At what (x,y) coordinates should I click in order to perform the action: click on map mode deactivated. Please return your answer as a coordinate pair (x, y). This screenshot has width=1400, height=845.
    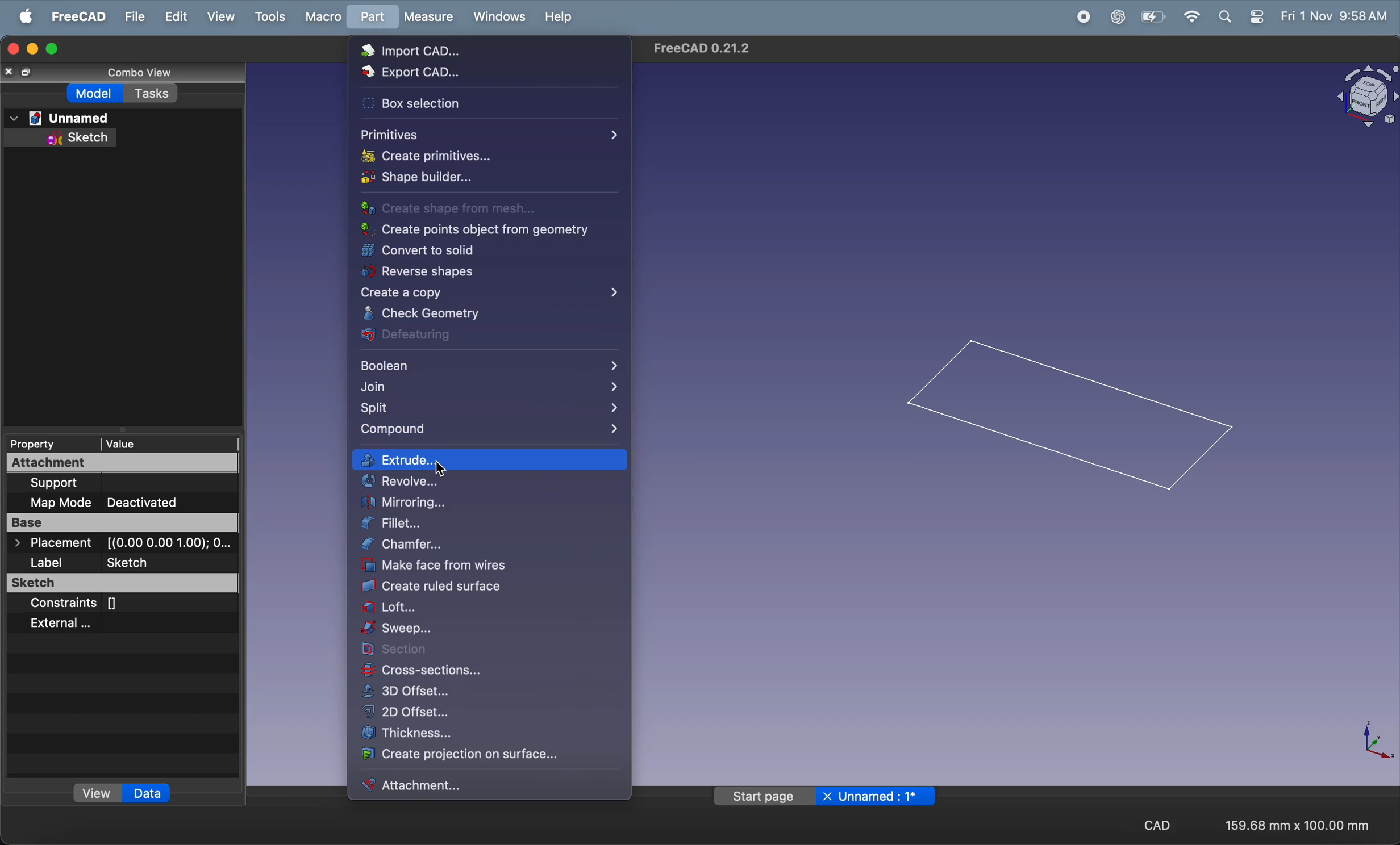
    Looking at the image, I should click on (123, 502).